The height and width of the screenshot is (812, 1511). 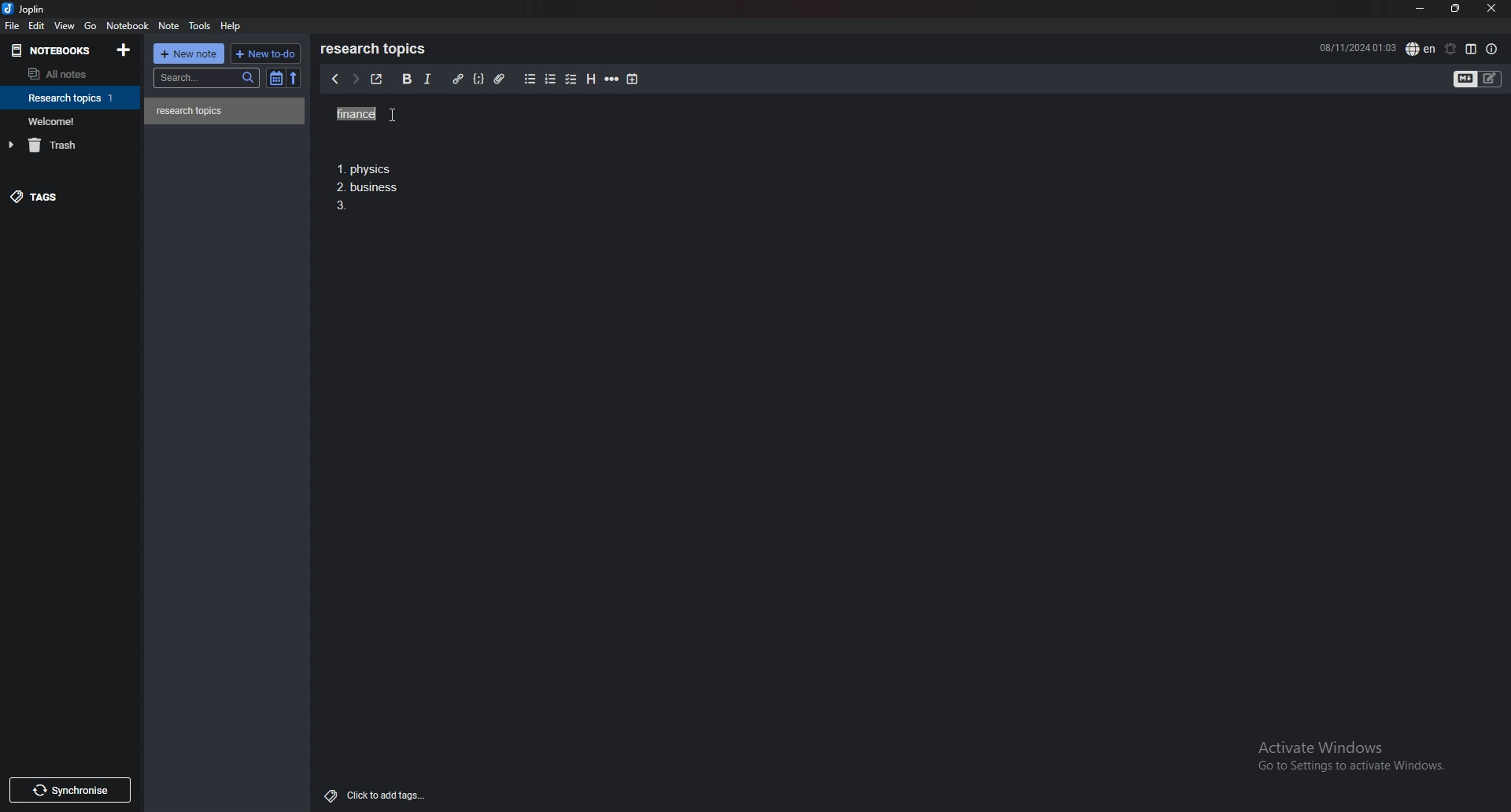 What do you see at coordinates (190, 53) in the screenshot?
I see `new note` at bounding box center [190, 53].